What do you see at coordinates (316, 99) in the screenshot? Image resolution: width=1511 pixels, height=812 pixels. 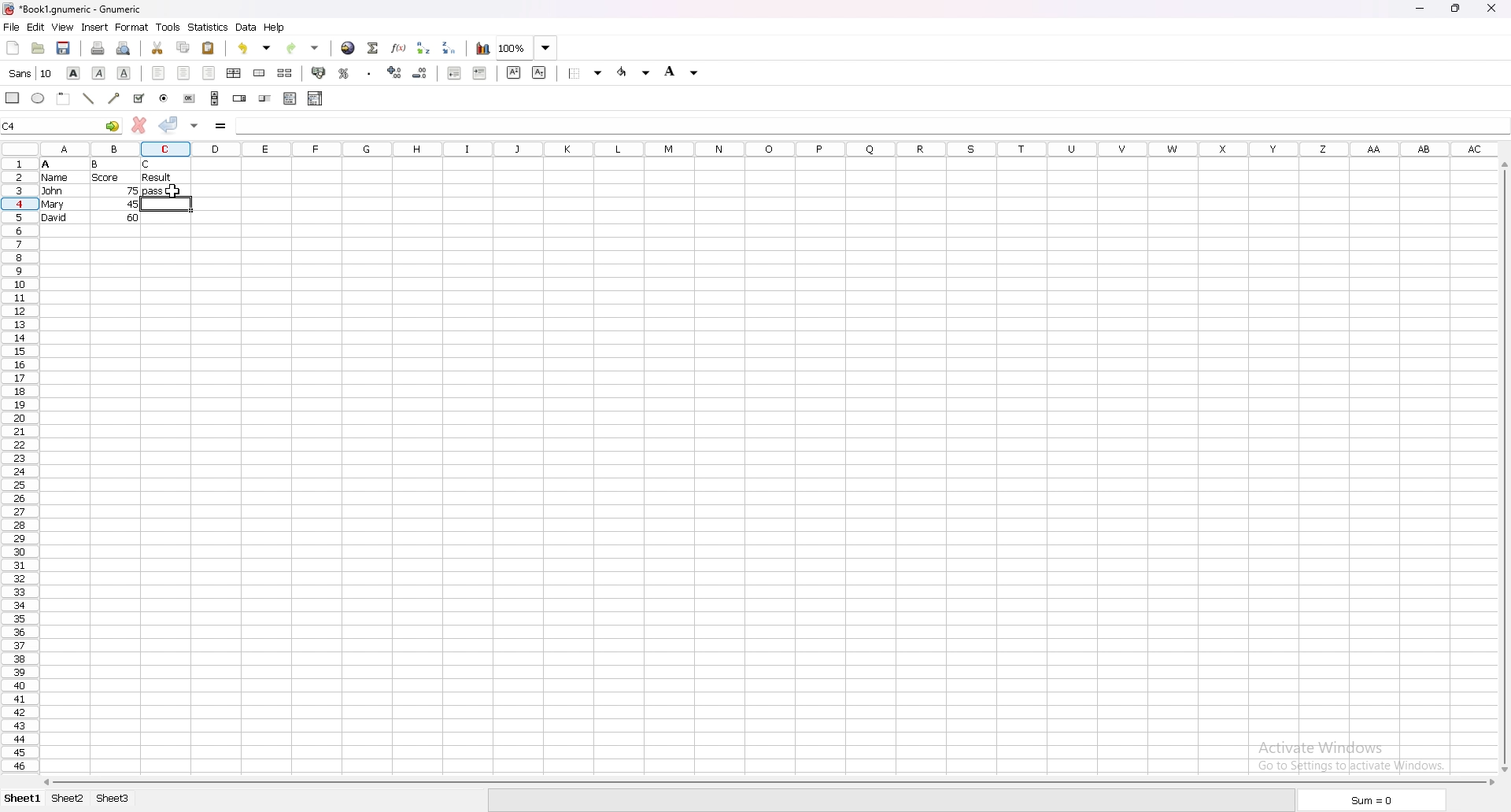 I see `combo box` at bounding box center [316, 99].